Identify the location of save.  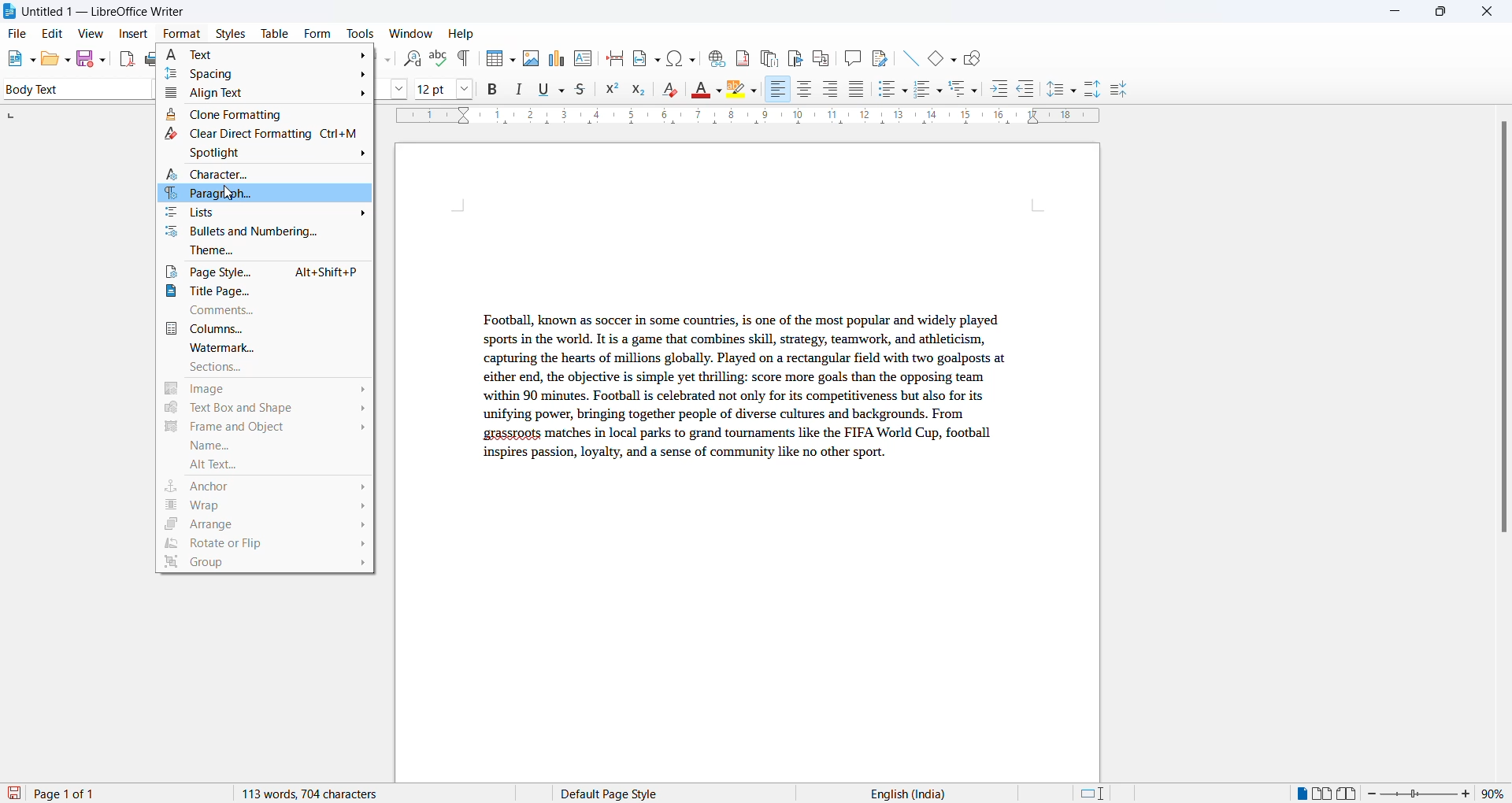
(15, 794).